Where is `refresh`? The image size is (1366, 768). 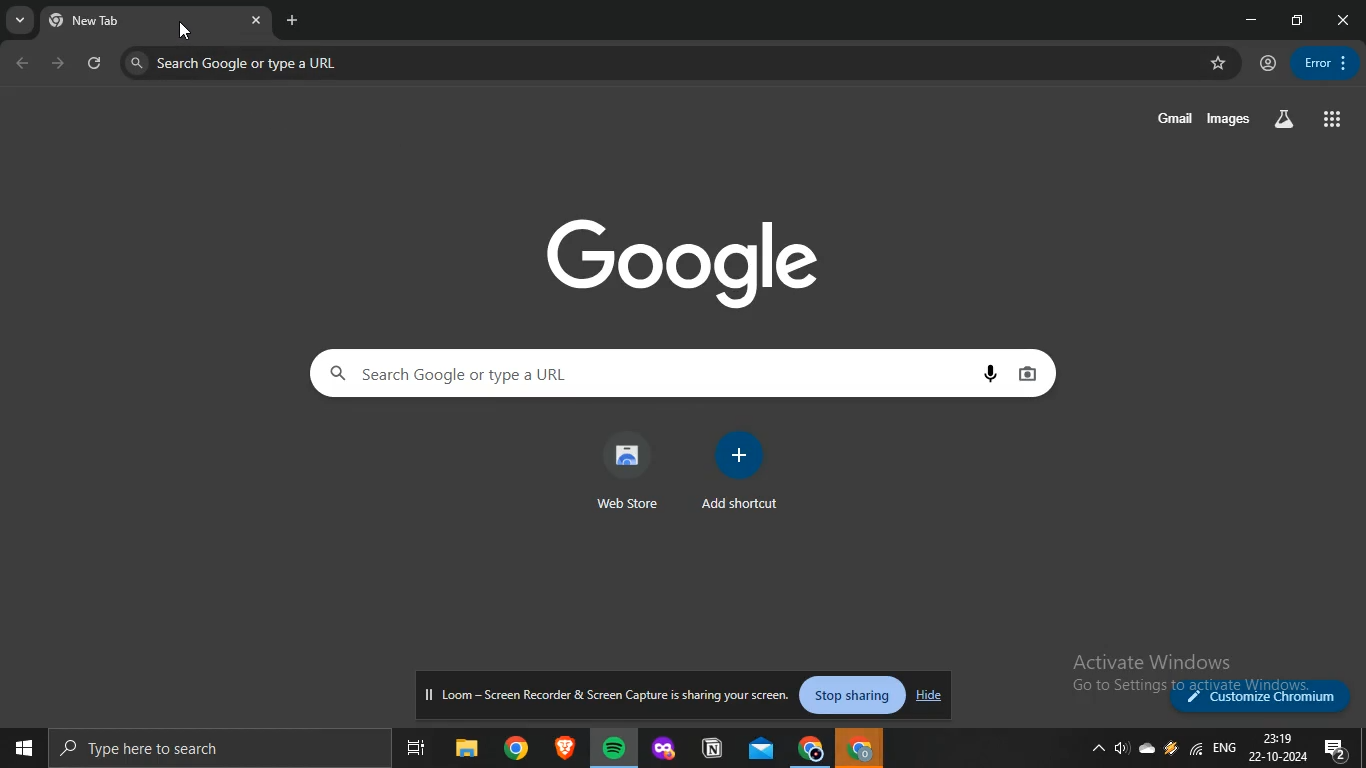 refresh is located at coordinates (96, 64).